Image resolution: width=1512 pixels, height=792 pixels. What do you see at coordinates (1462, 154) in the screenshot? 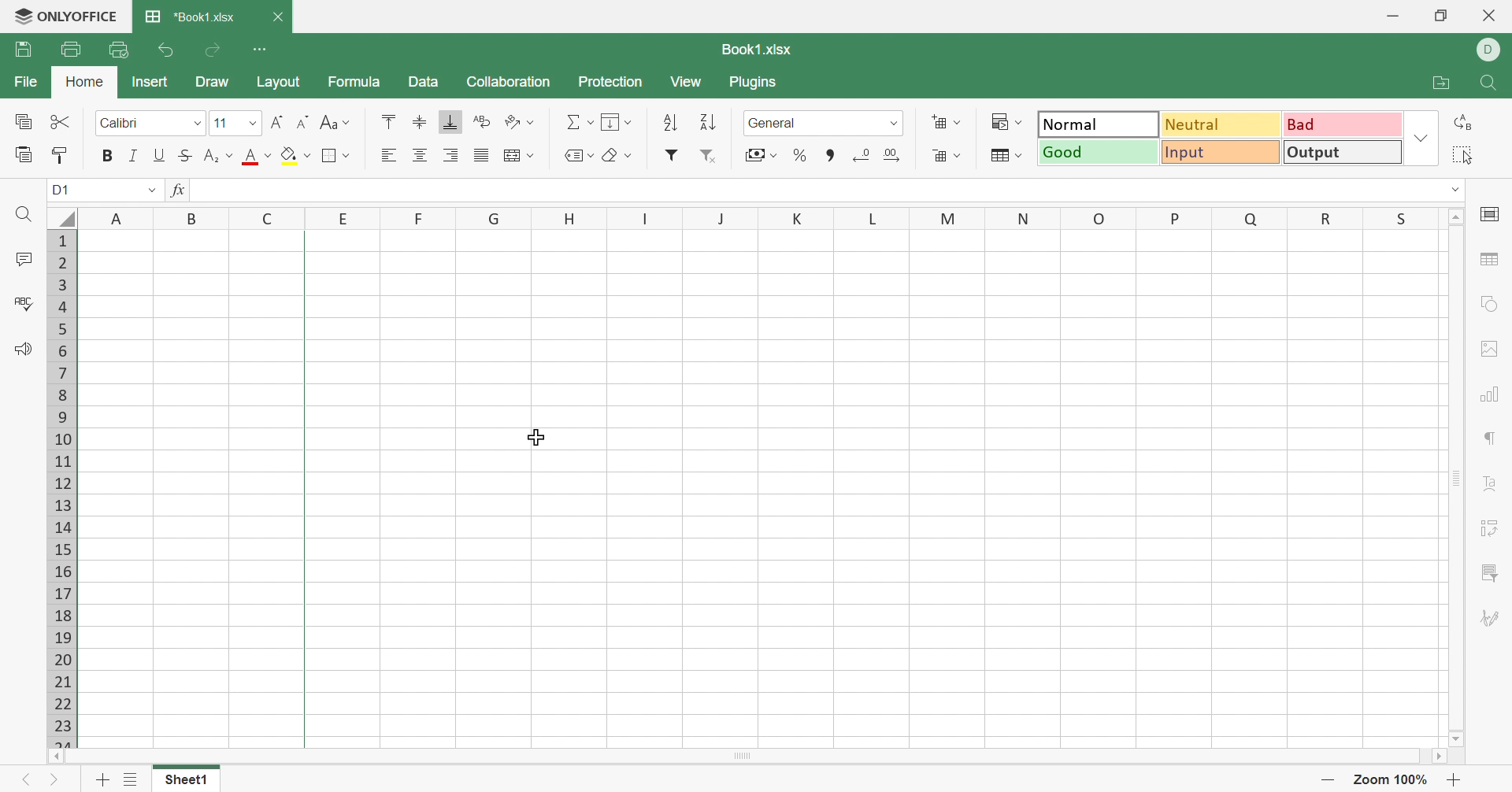
I see `Select all` at bounding box center [1462, 154].